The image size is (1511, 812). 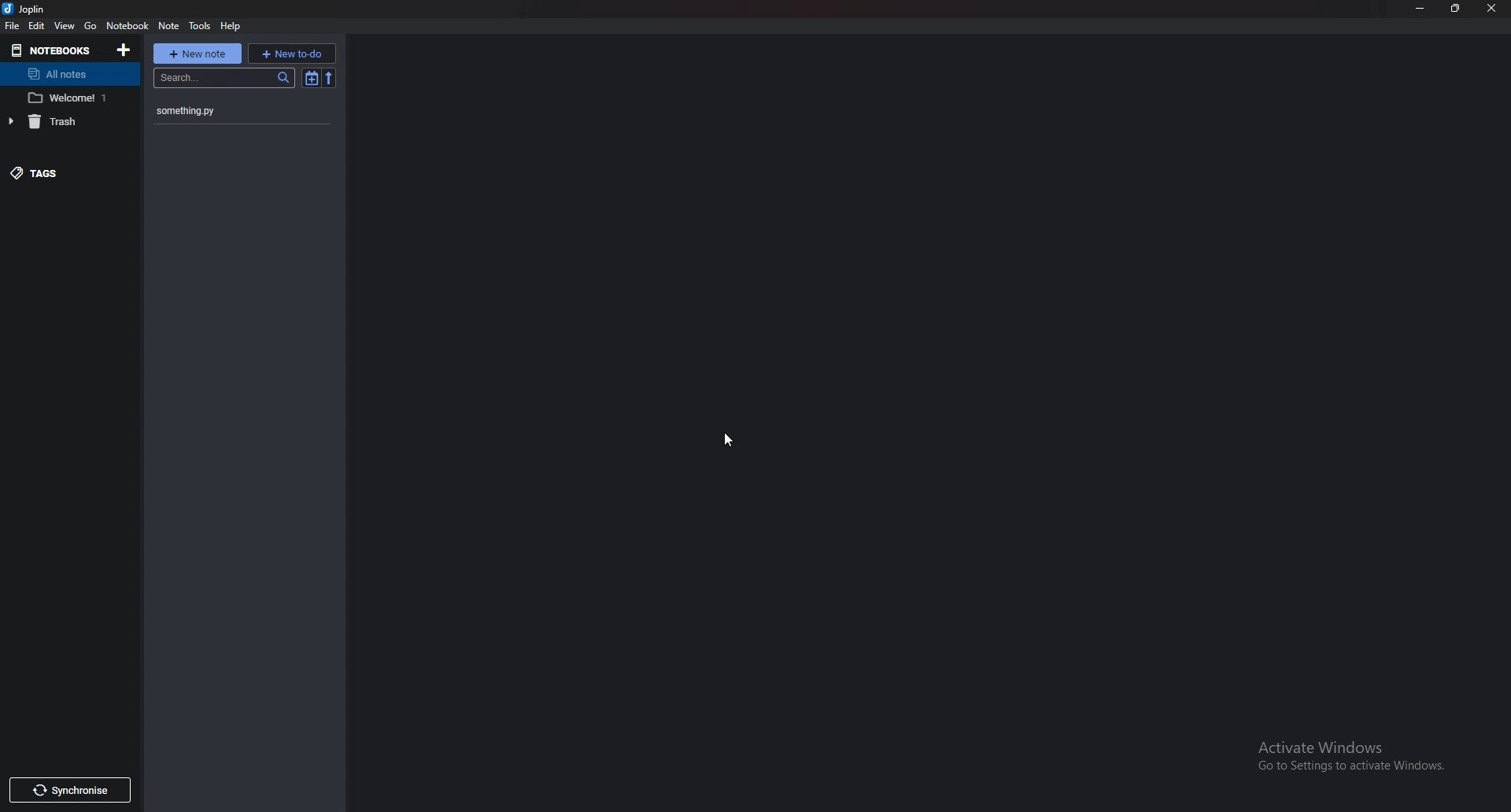 What do you see at coordinates (71, 98) in the screenshot?
I see `welcome 1` at bounding box center [71, 98].